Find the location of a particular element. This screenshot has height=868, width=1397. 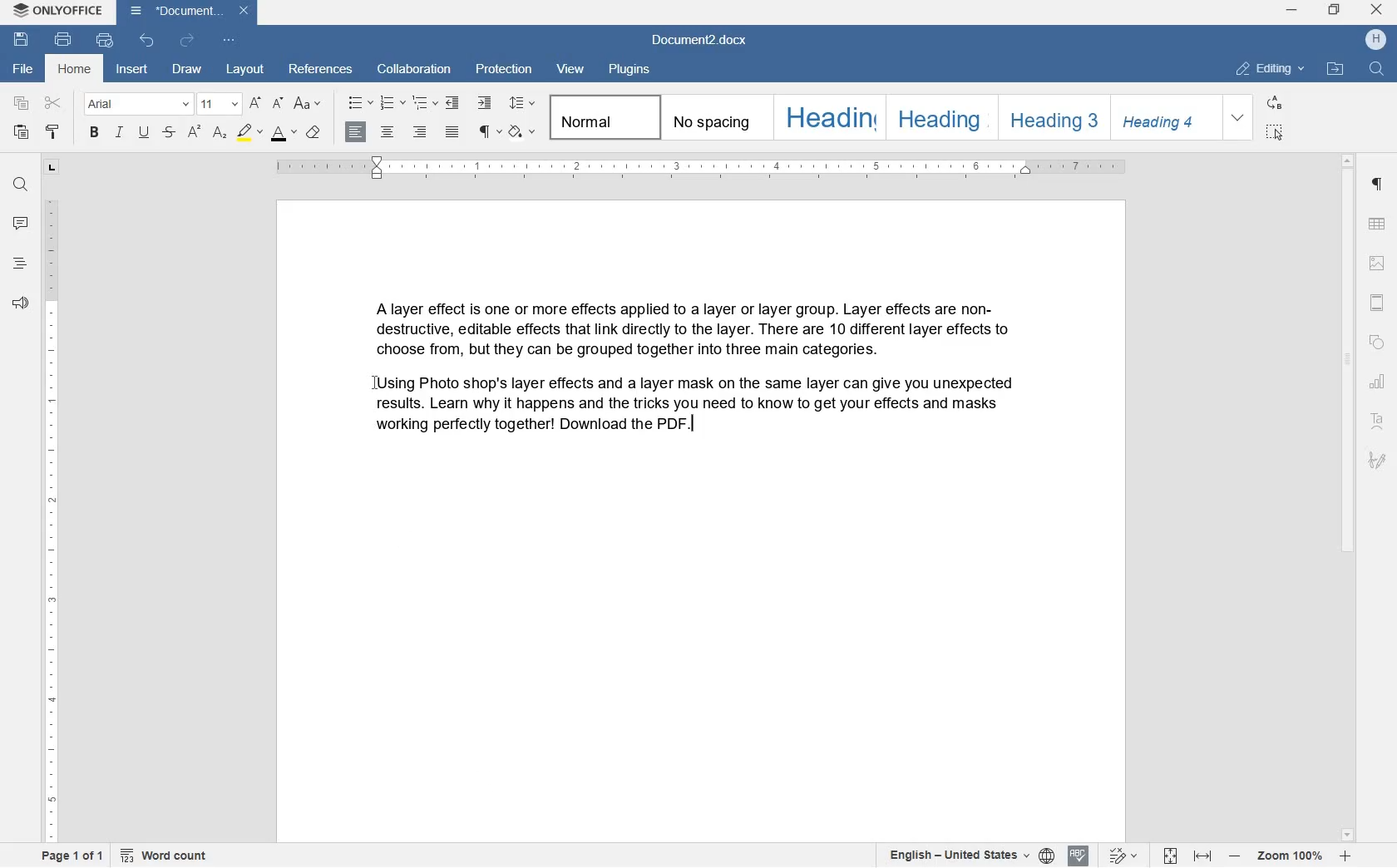

EXPAND FORMATTING STYLE is located at coordinates (1239, 118).